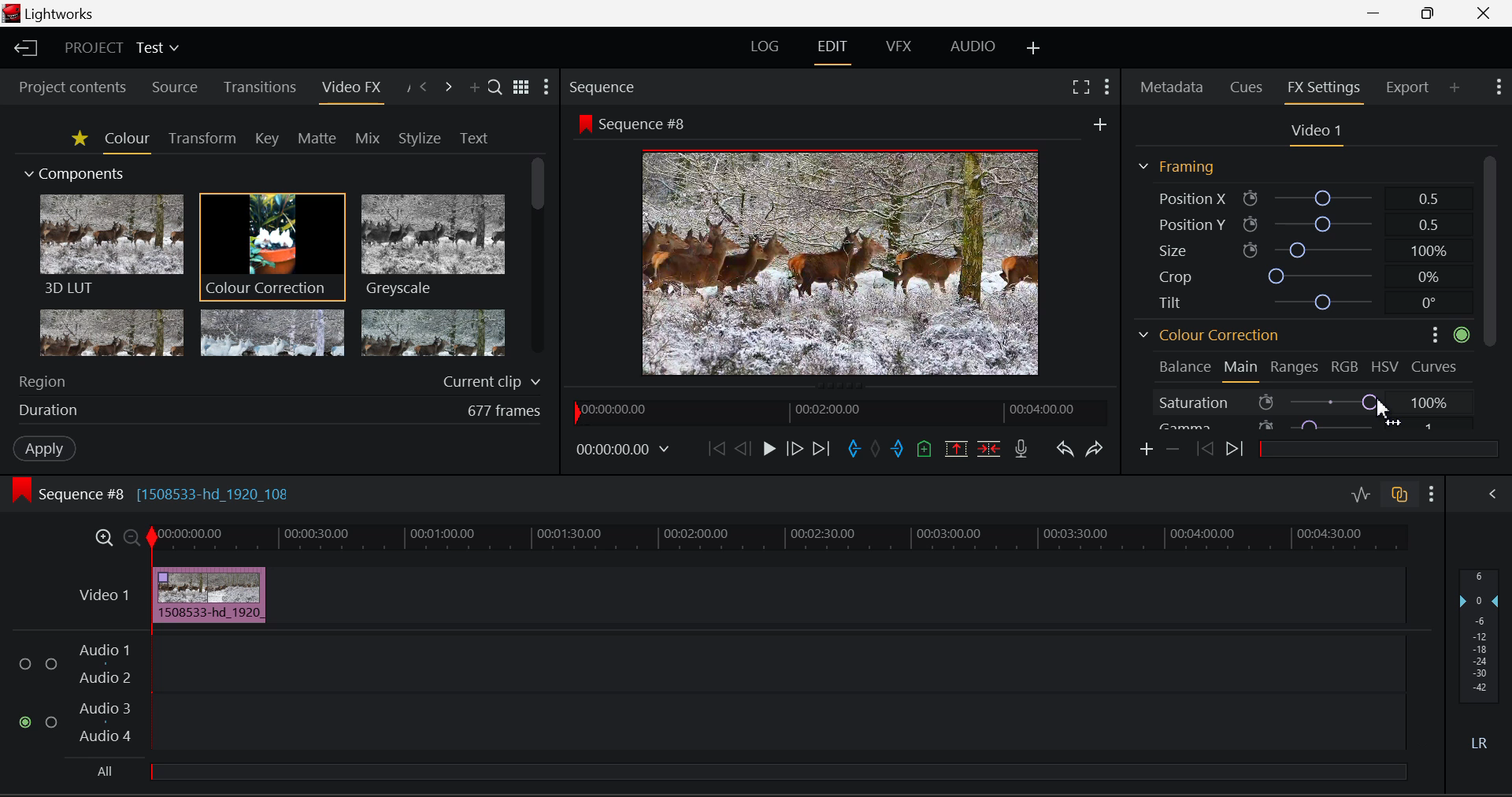  What do you see at coordinates (775, 539) in the screenshot?
I see `Project Timeline` at bounding box center [775, 539].